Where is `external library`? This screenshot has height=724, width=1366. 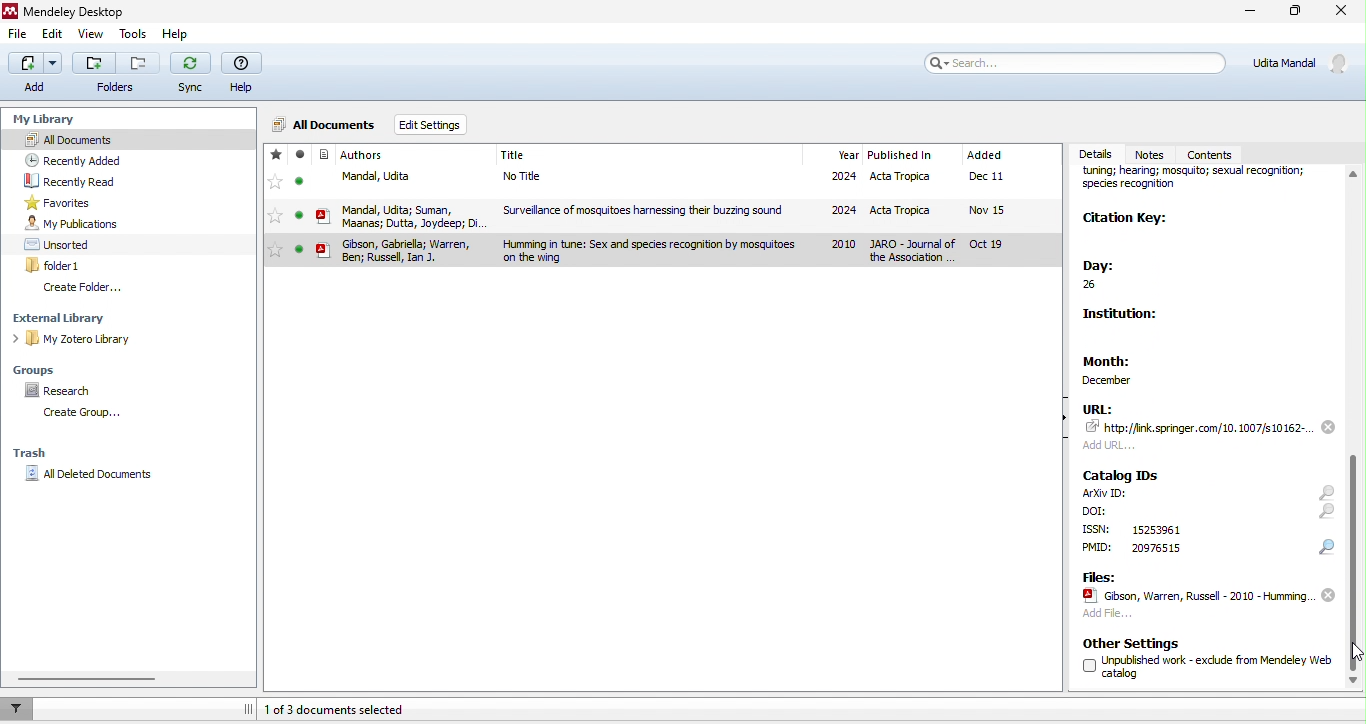 external library is located at coordinates (69, 318).